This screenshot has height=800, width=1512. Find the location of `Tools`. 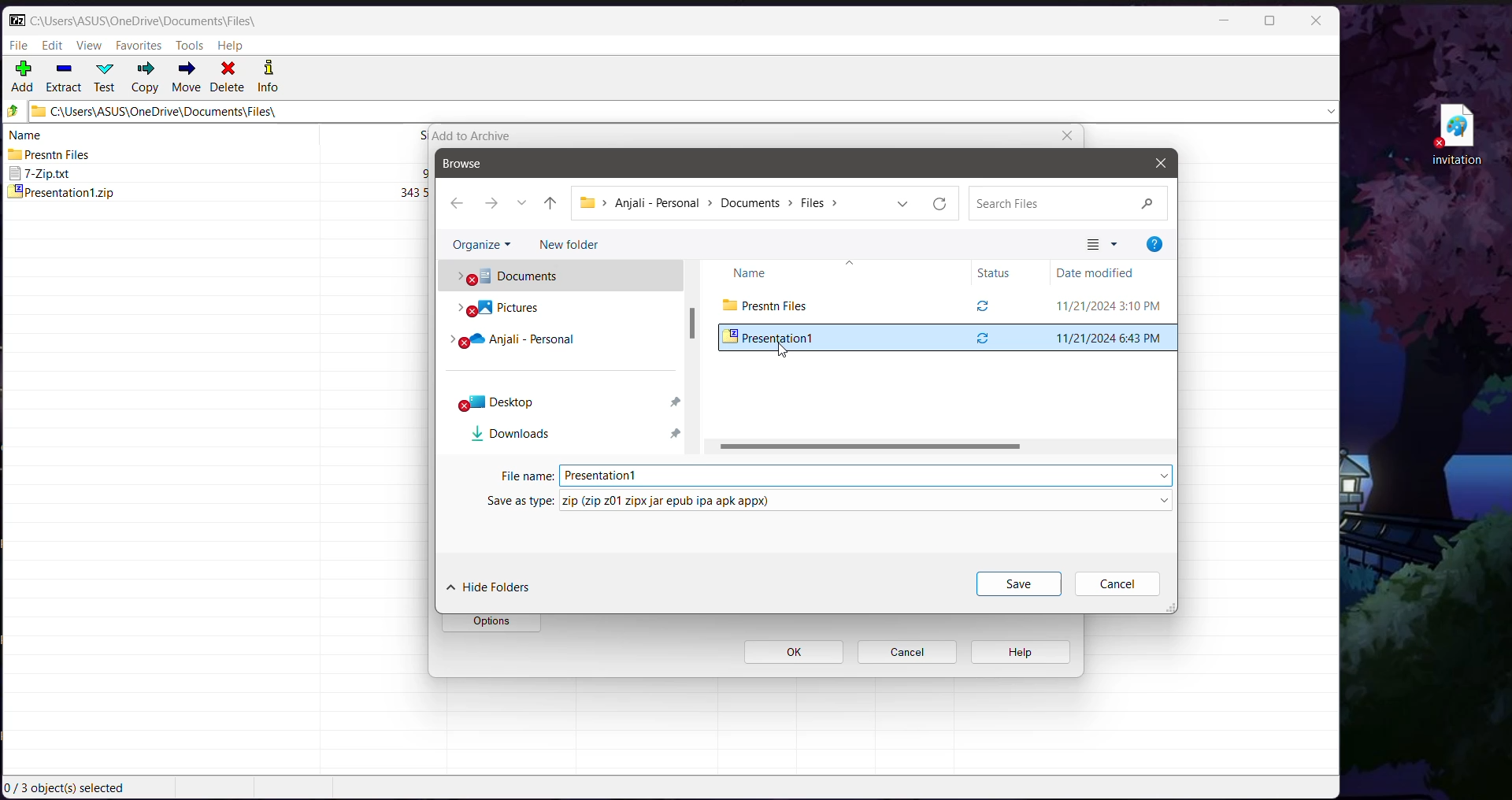

Tools is located at coordinates (189, 46).